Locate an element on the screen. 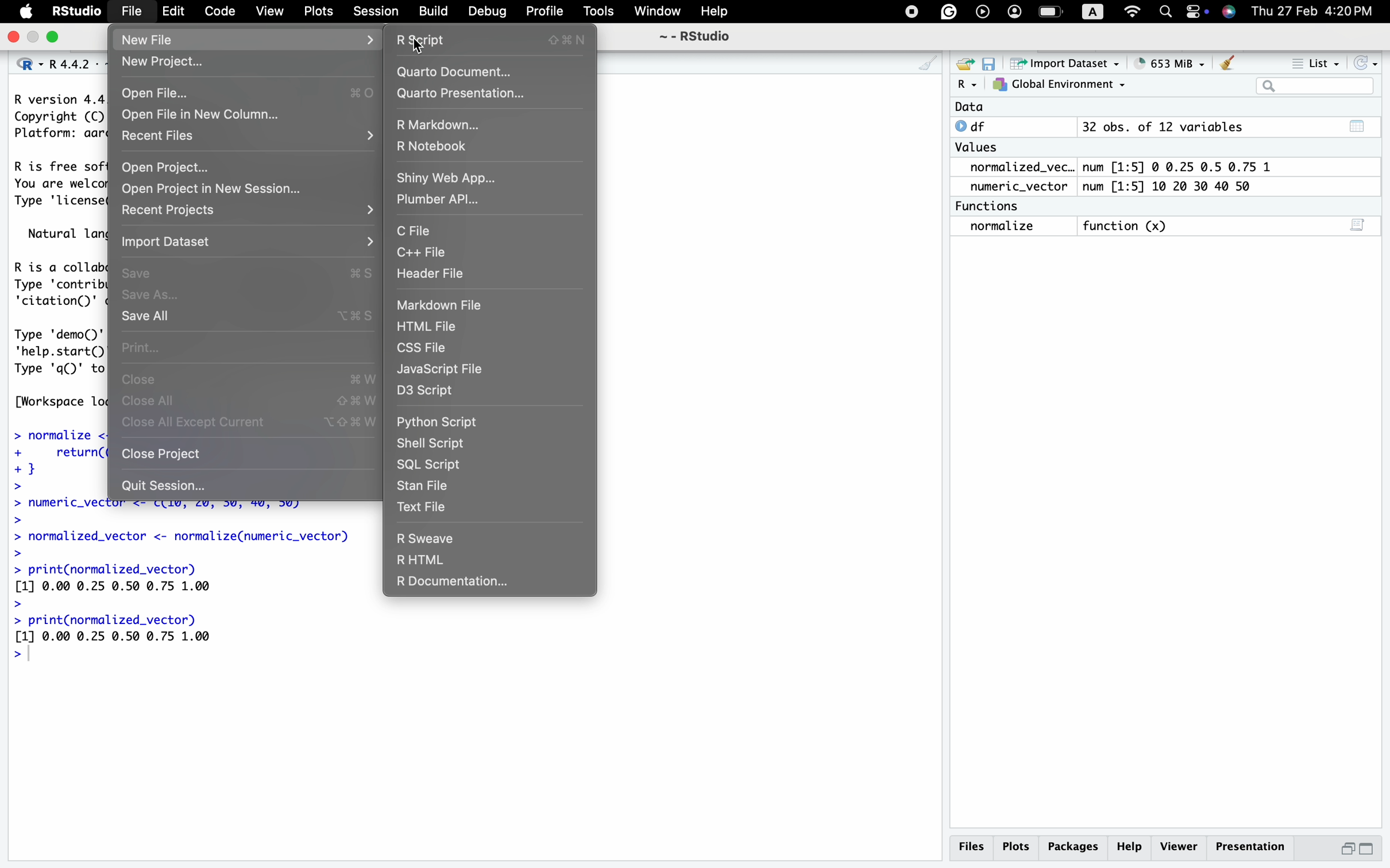 This screenshot has height=868, width=1390. Edit is located at coordinates (173, 12).